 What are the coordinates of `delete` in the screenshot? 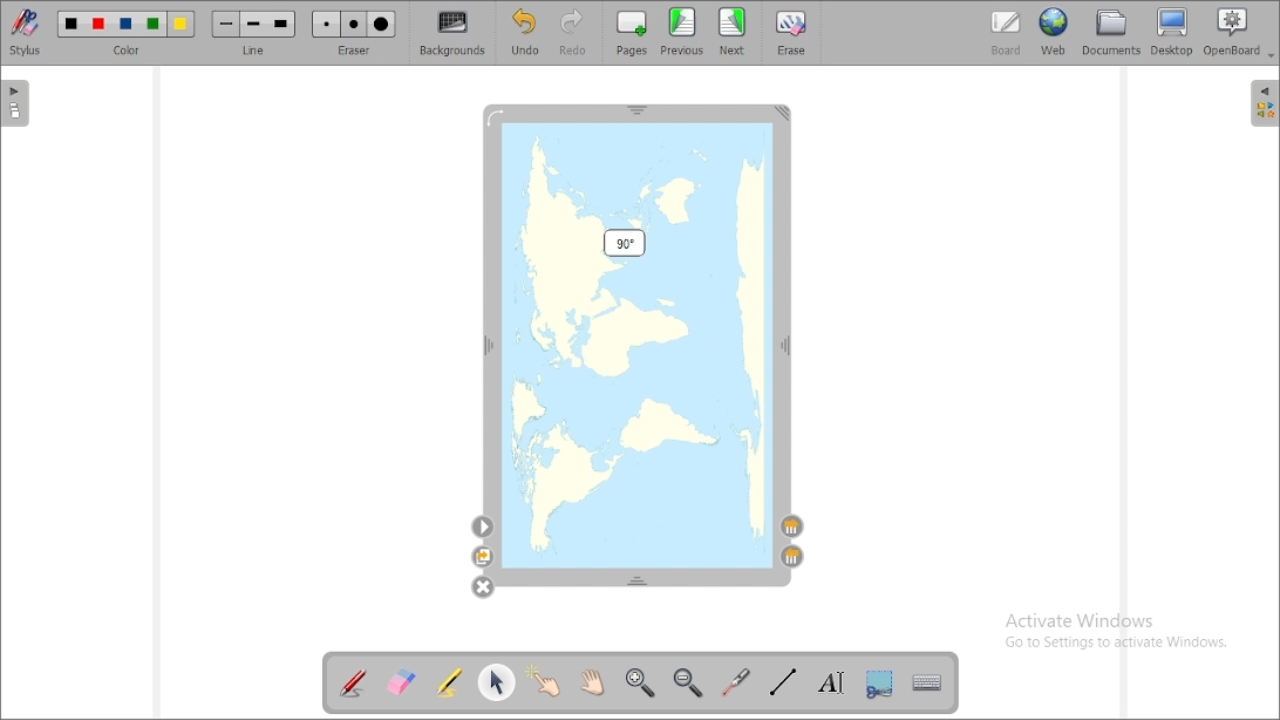 It's located at (482, 587).